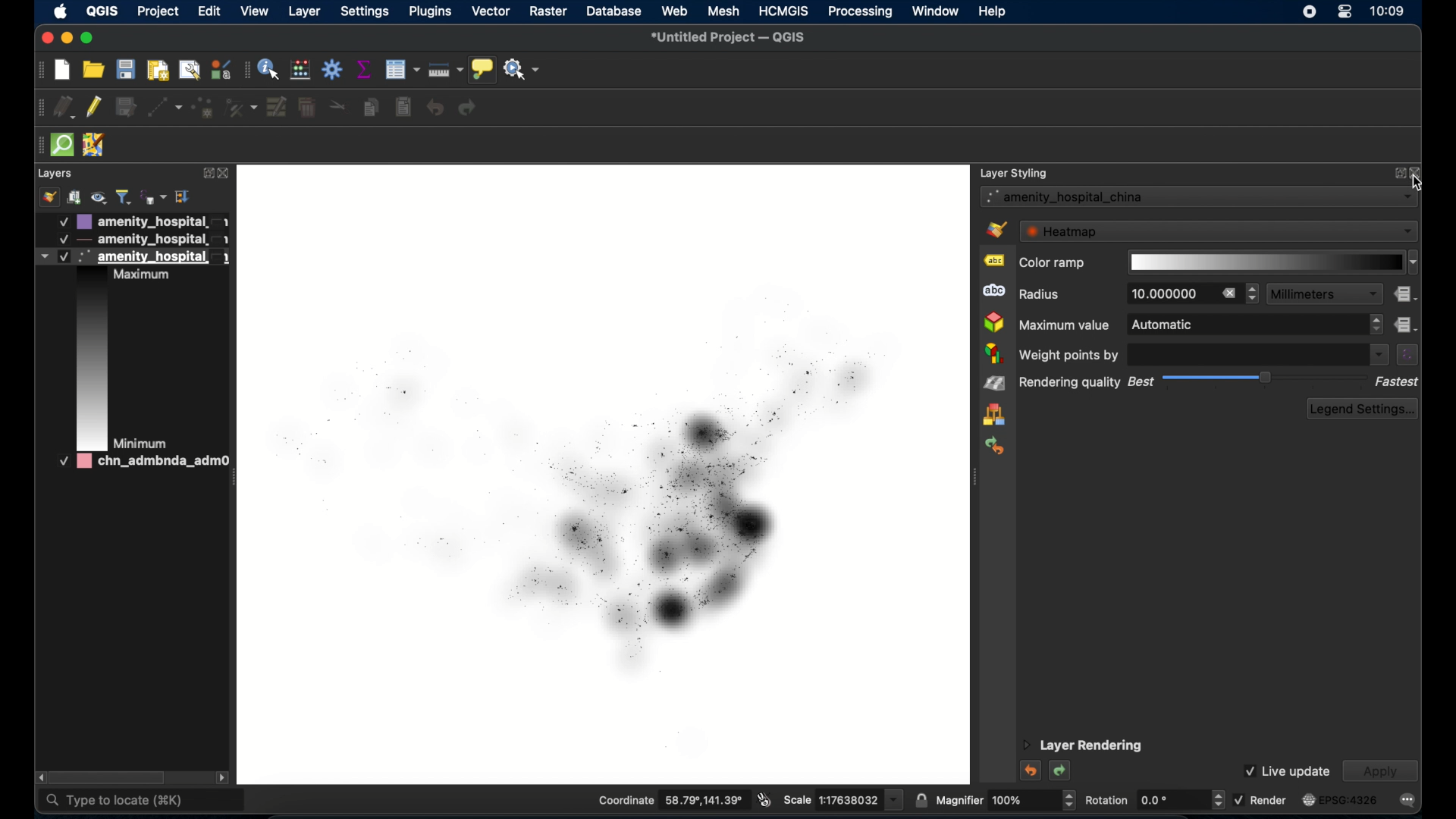 This screenshot has height=819, width=1456. I want to click on coordinate, so click(670, 799).